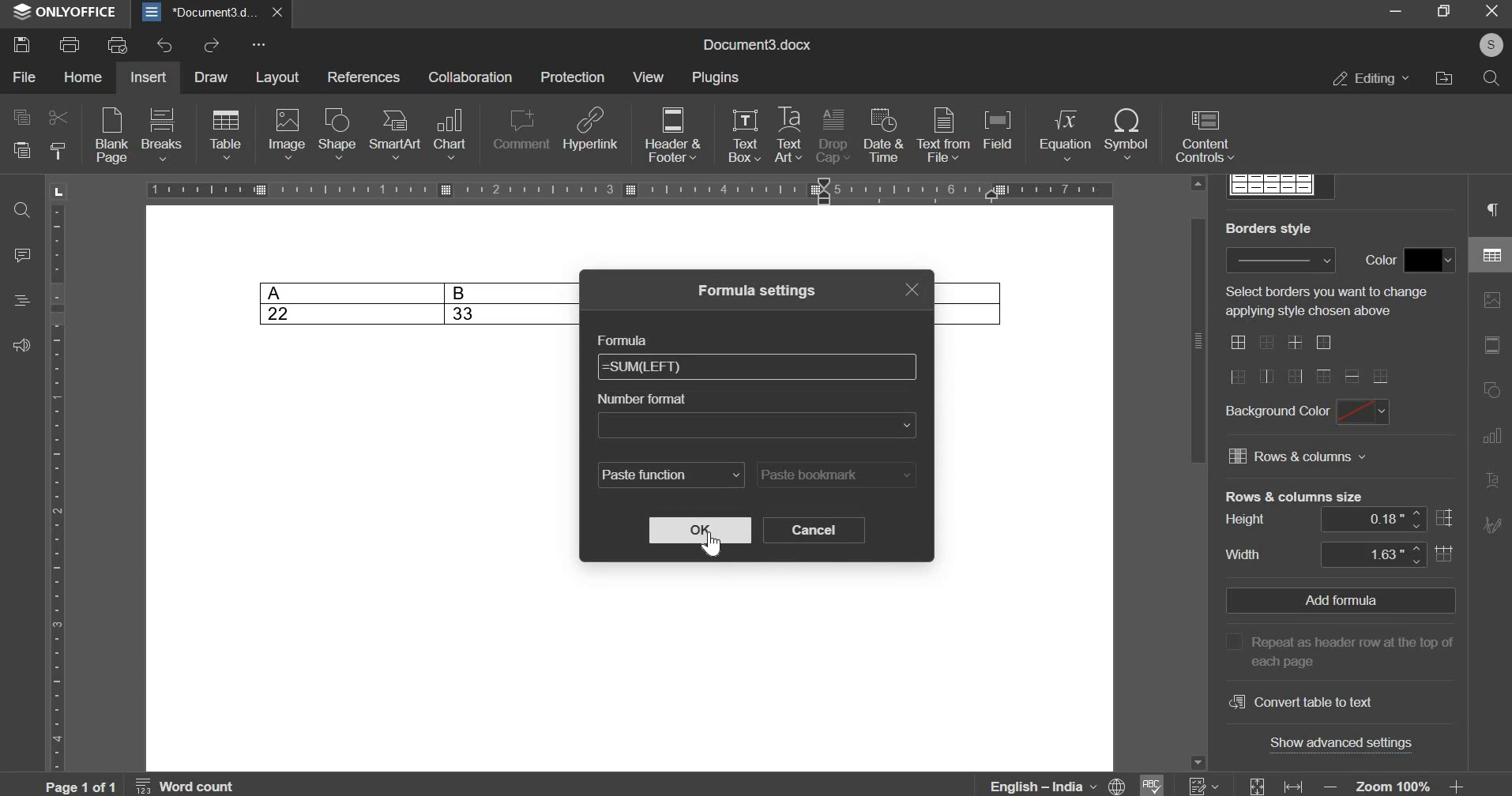  Describe the element at coordinates (1309, 360) in the screenshot. I see `border options` at that location.